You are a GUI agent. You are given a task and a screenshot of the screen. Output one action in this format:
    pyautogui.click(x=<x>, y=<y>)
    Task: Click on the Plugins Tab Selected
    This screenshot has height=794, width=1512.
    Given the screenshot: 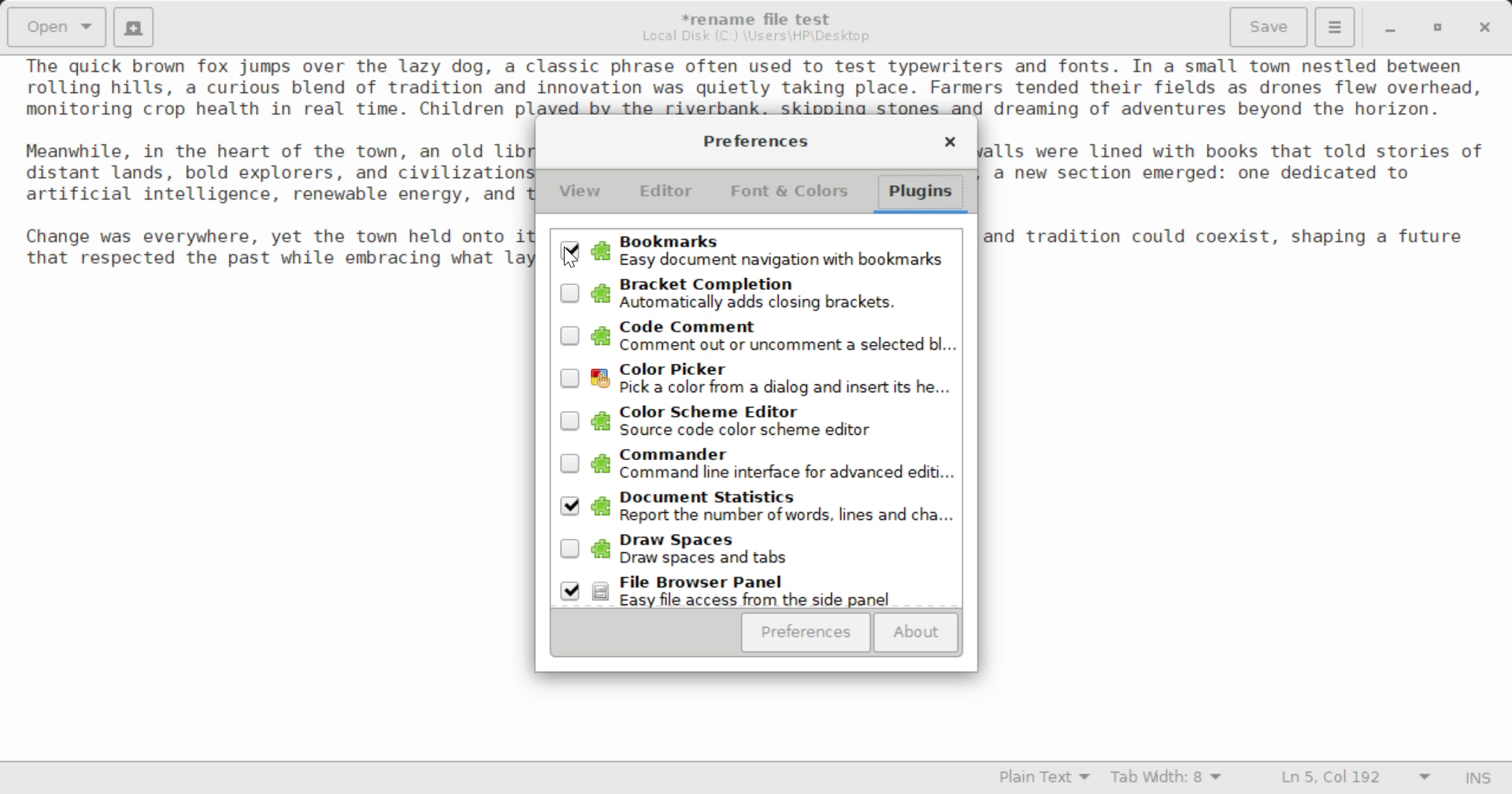 What is the action you would take?
    pyautogui.click(x=925, y=197)
    